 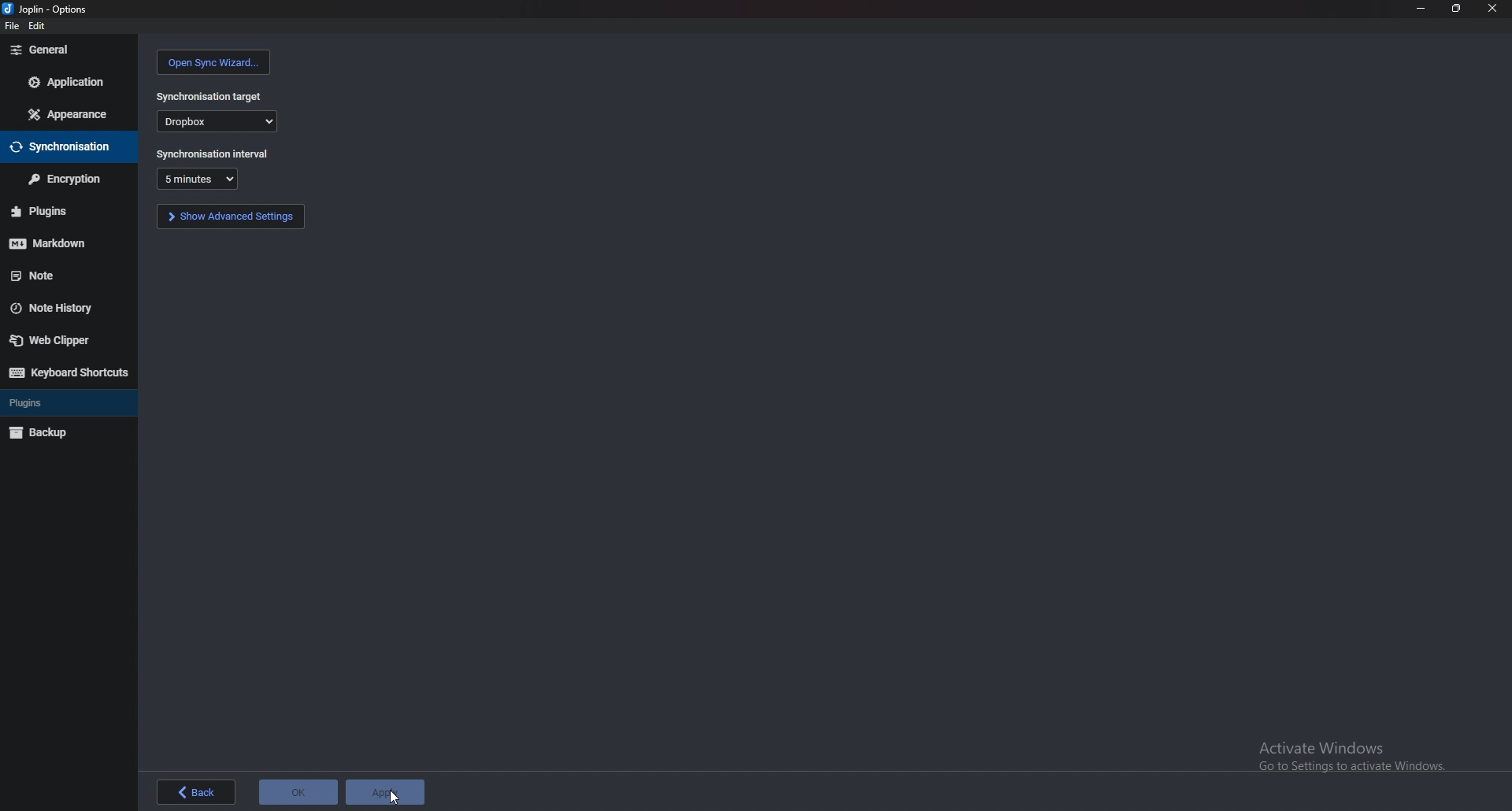 I want to click on encryption, so click(x=69, y=179).